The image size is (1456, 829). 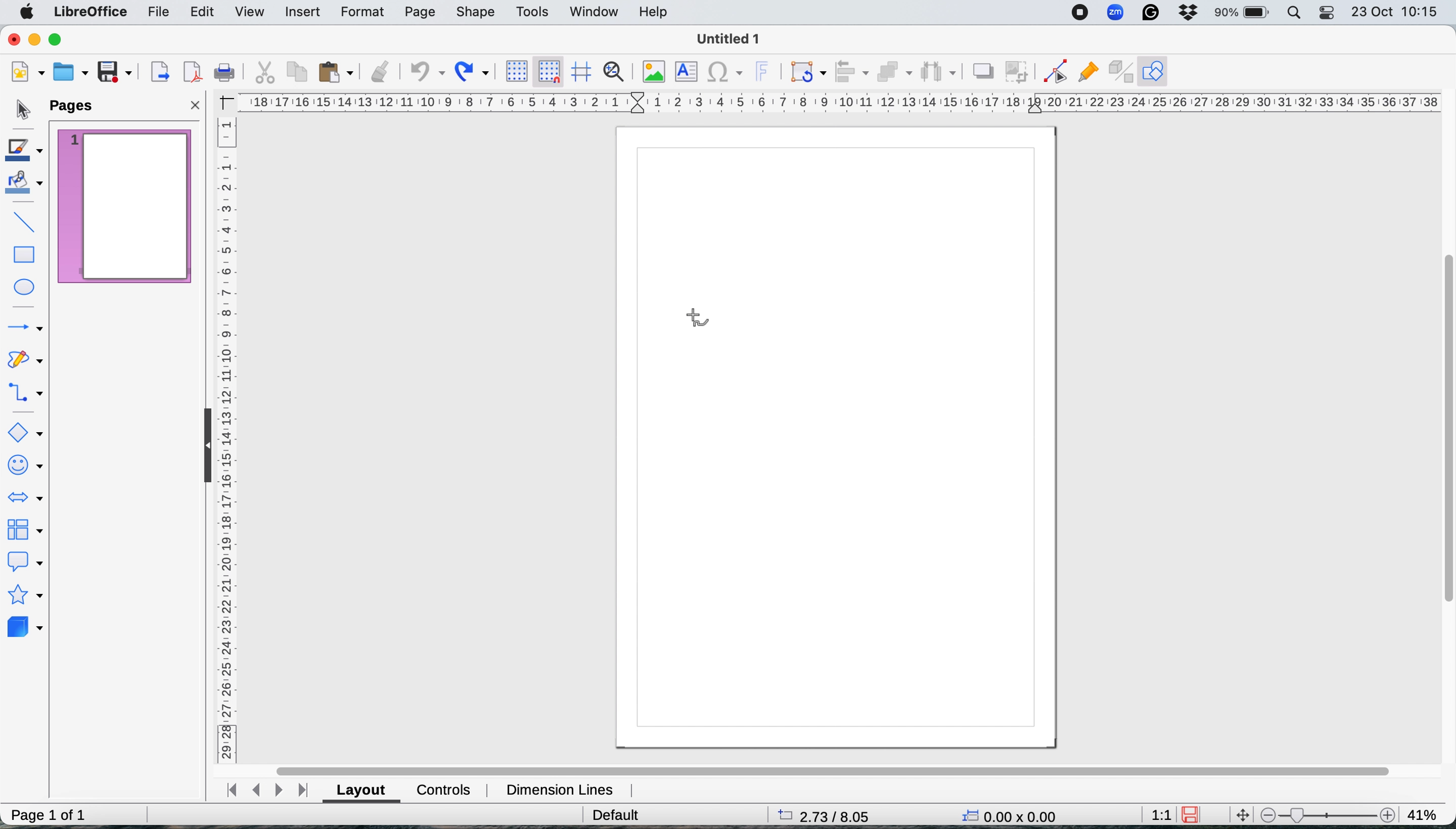 I want to click on system logo, so click(x=27, y=13).